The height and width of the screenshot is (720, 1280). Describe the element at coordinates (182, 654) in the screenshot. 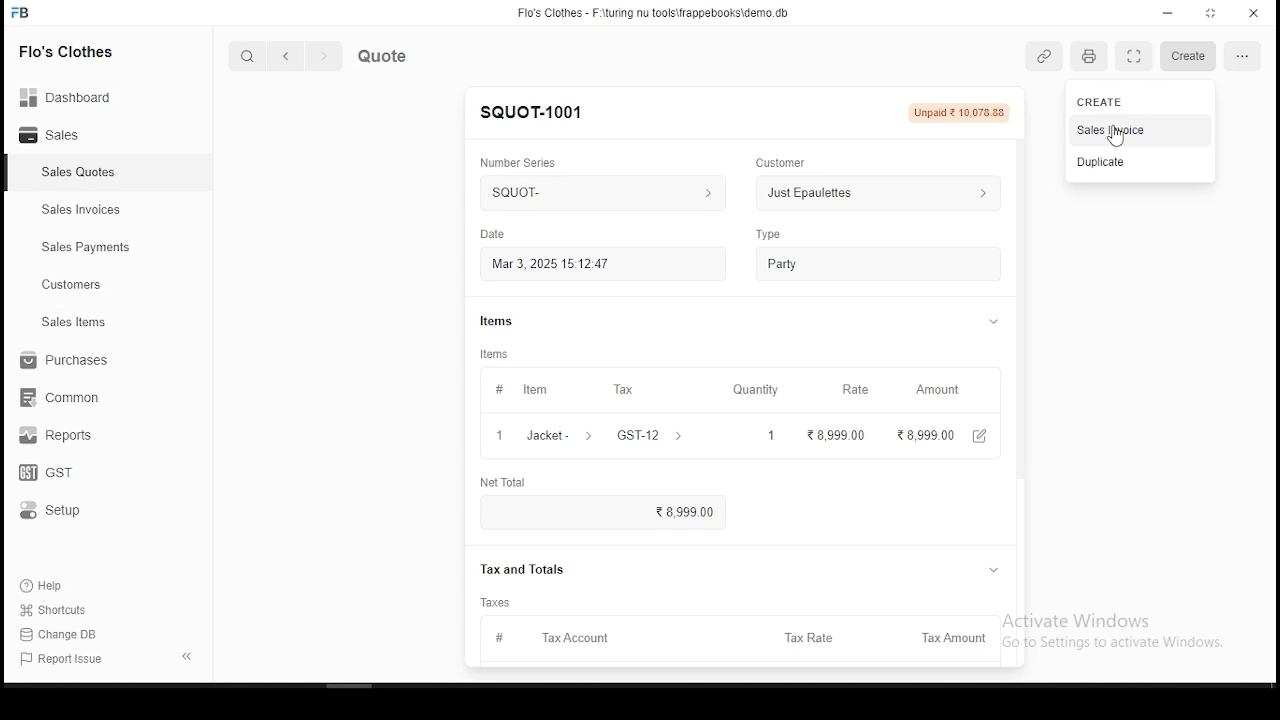

I see `expand` at that location.